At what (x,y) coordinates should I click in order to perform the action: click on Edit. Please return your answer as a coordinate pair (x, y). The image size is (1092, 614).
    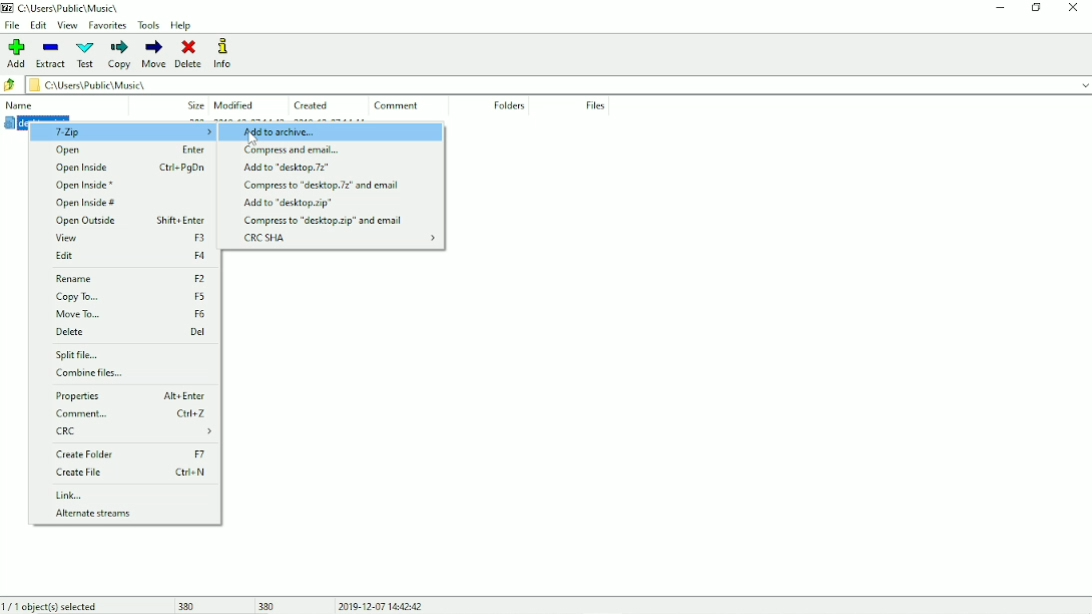
    Looking at the image, I should click on (39, 25).